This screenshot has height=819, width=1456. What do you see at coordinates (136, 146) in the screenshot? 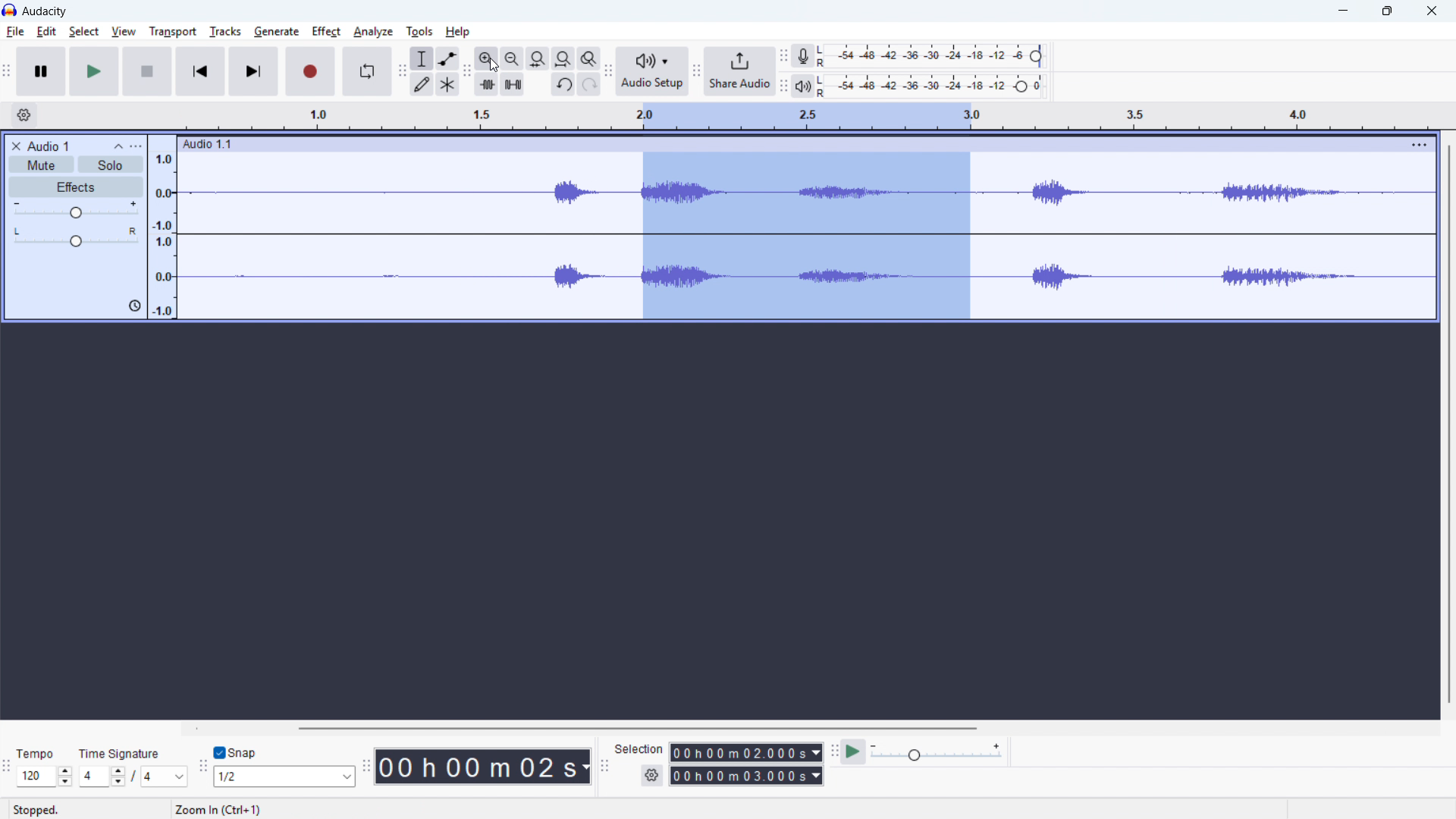
I see `Trap control panel menu` at bounding box center [136, 146].